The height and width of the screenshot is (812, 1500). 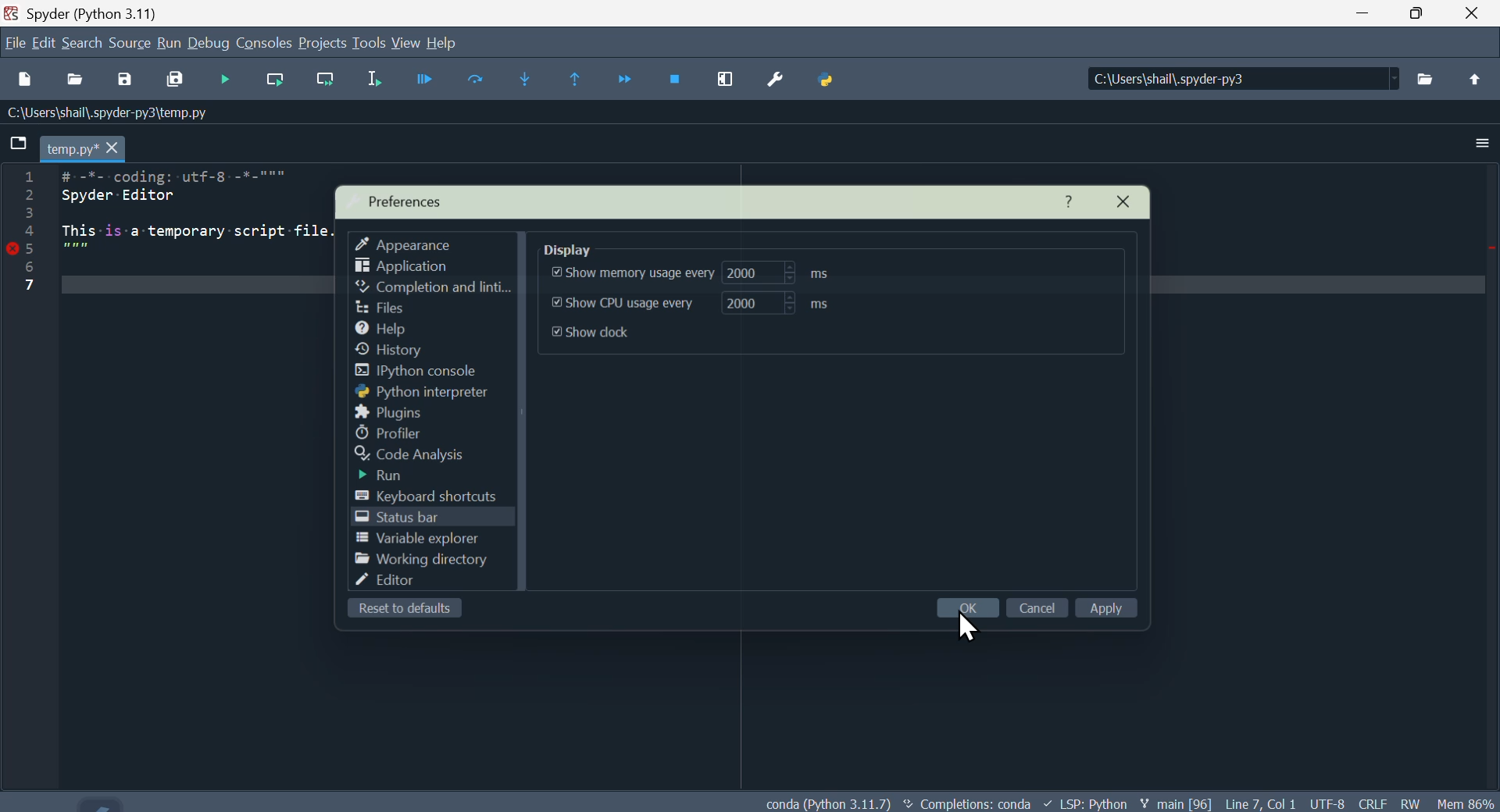 What do you see at coordinates (1073, 200) in the screenshot?
I see `Help` at bounding box center [1073, 200].